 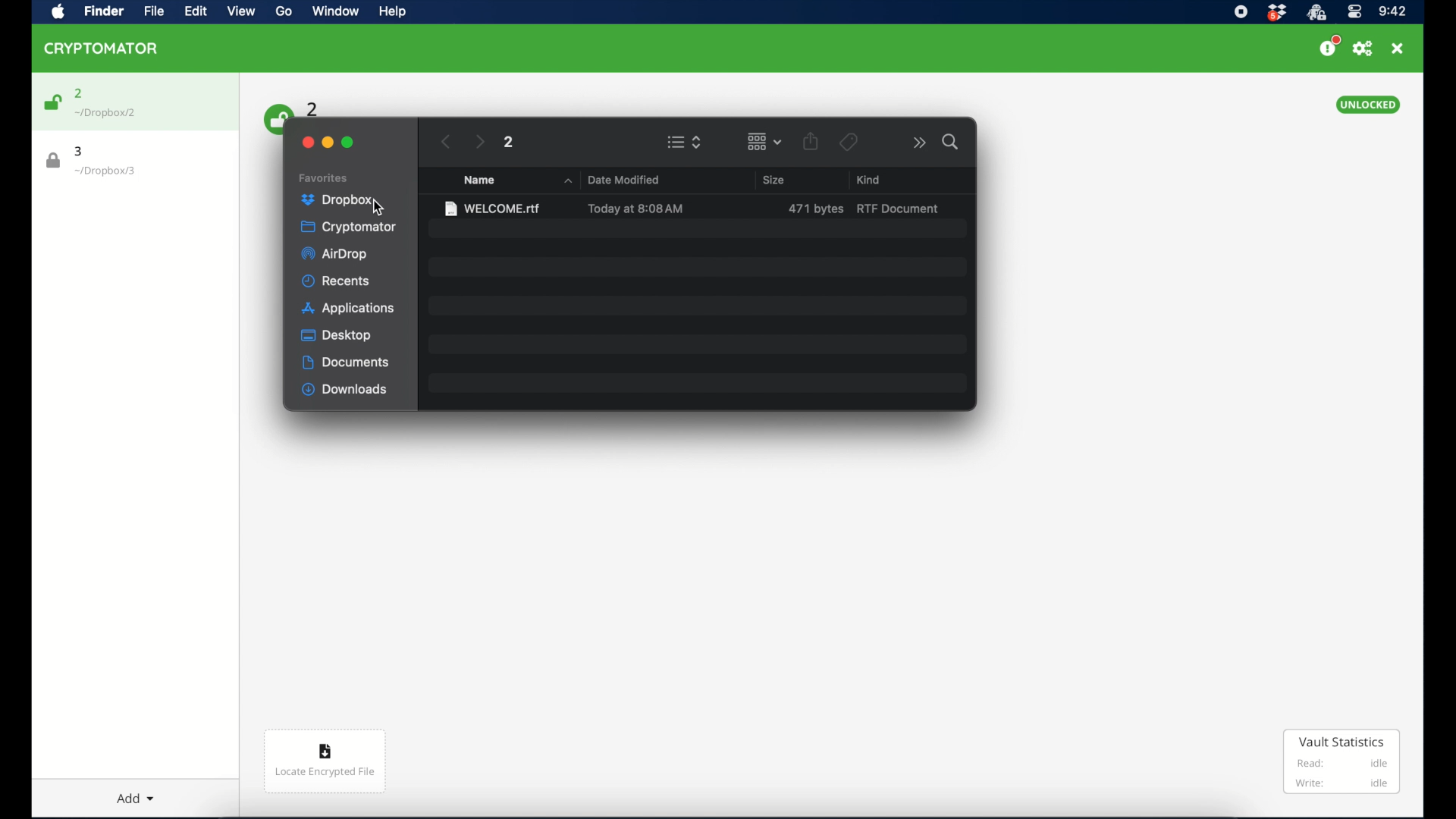 I want to click on kind, so click(x=868, y=179).